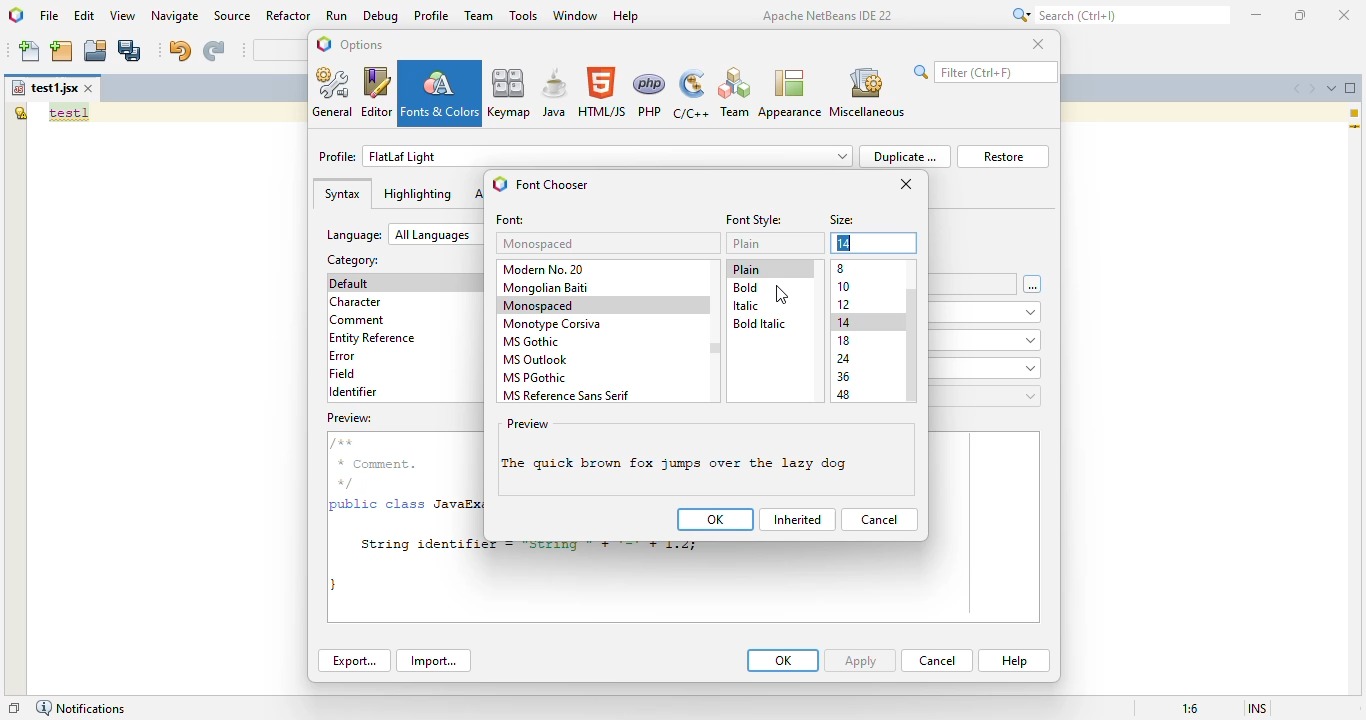 The image size is (1366, 720). I want to click on debug, so click(382, 16).